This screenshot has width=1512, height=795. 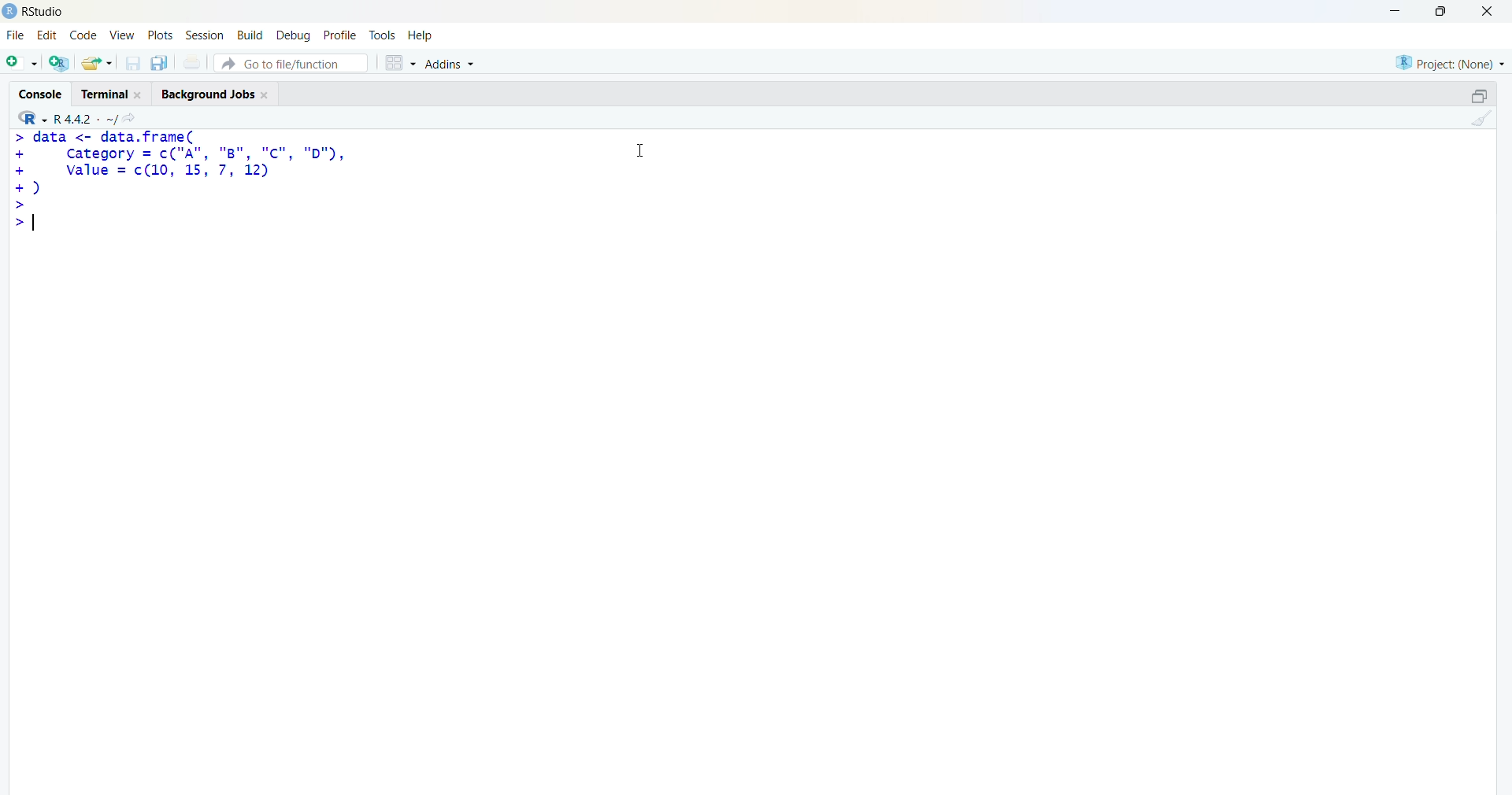 What do you see at coordinates (83, 35) in the screenshot?
I see `code` at bounding box center [83, 35].